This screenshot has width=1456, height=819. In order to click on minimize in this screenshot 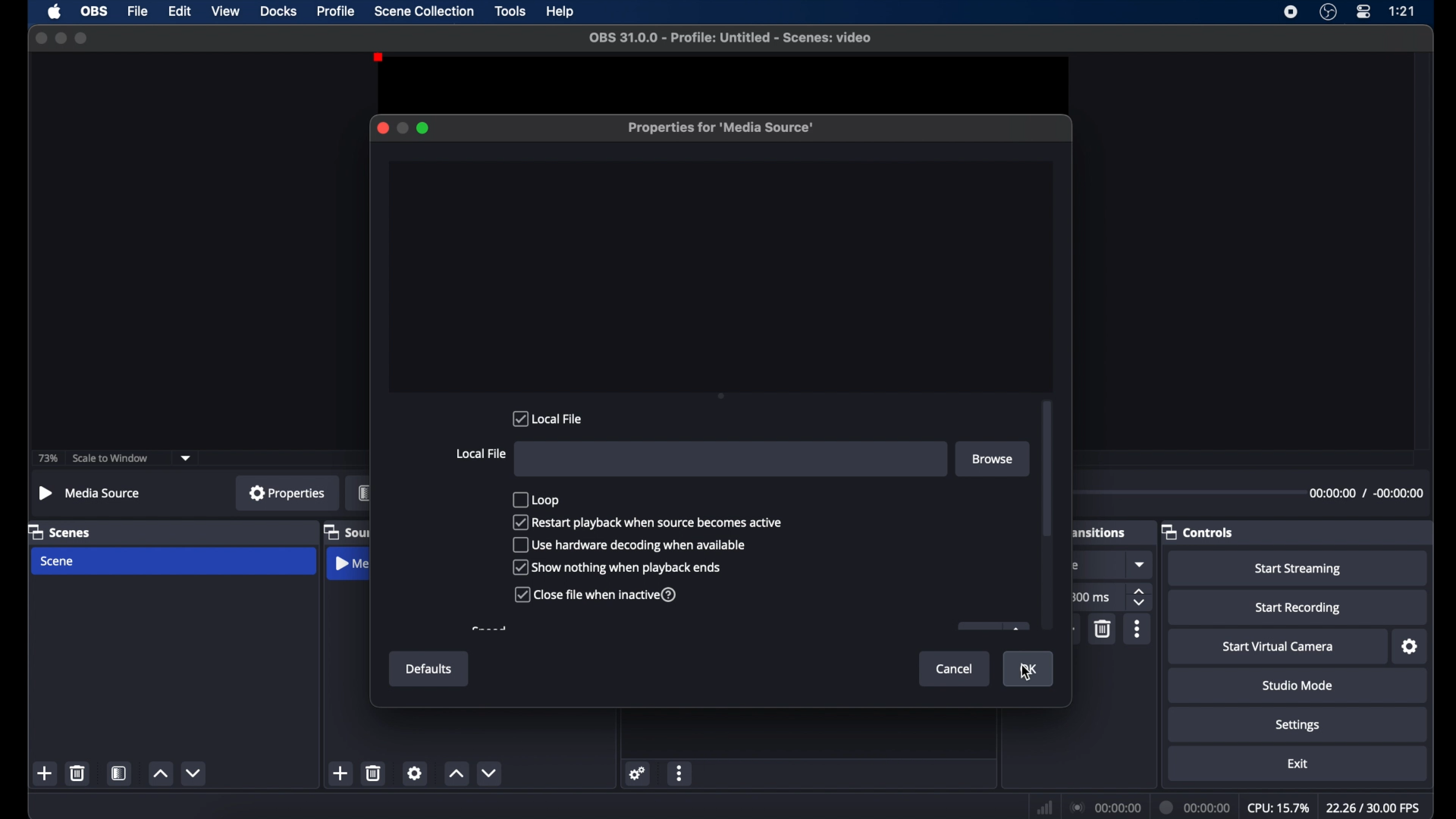, I will do `click(404, 127)`.